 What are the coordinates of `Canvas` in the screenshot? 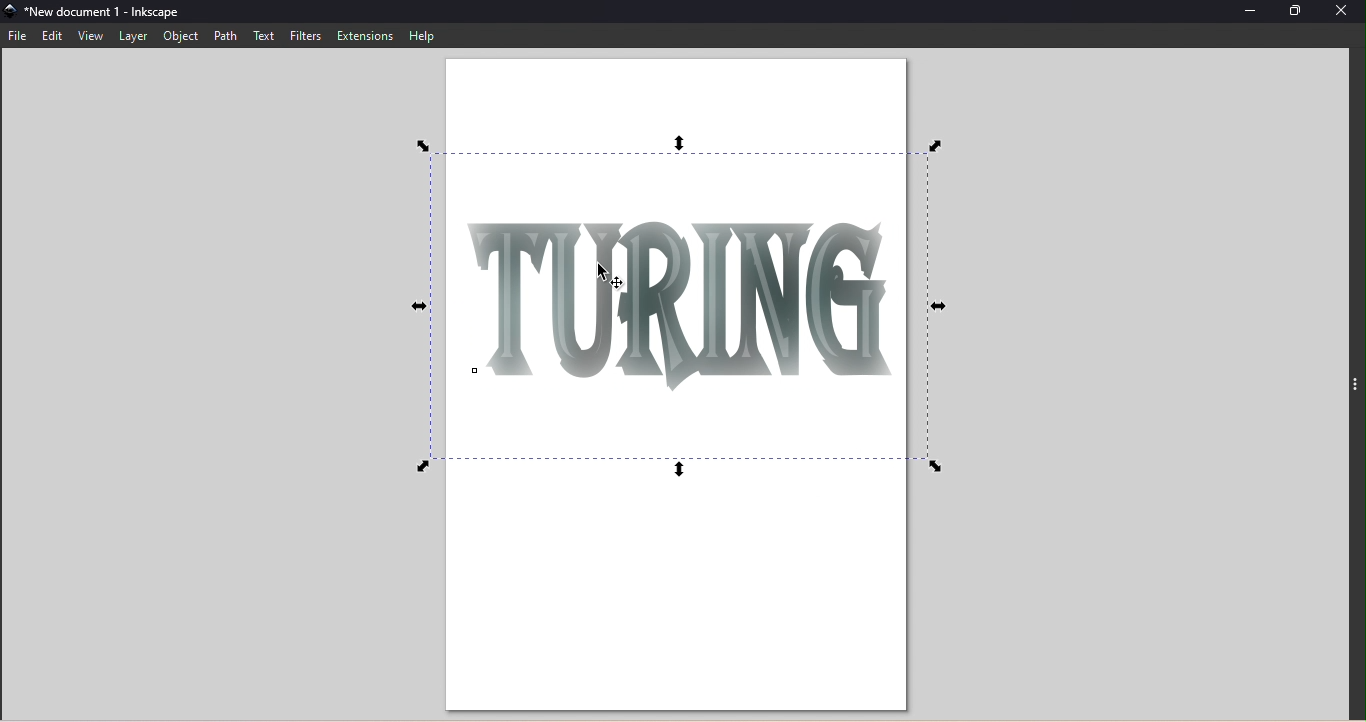 It's located at (670, 384).